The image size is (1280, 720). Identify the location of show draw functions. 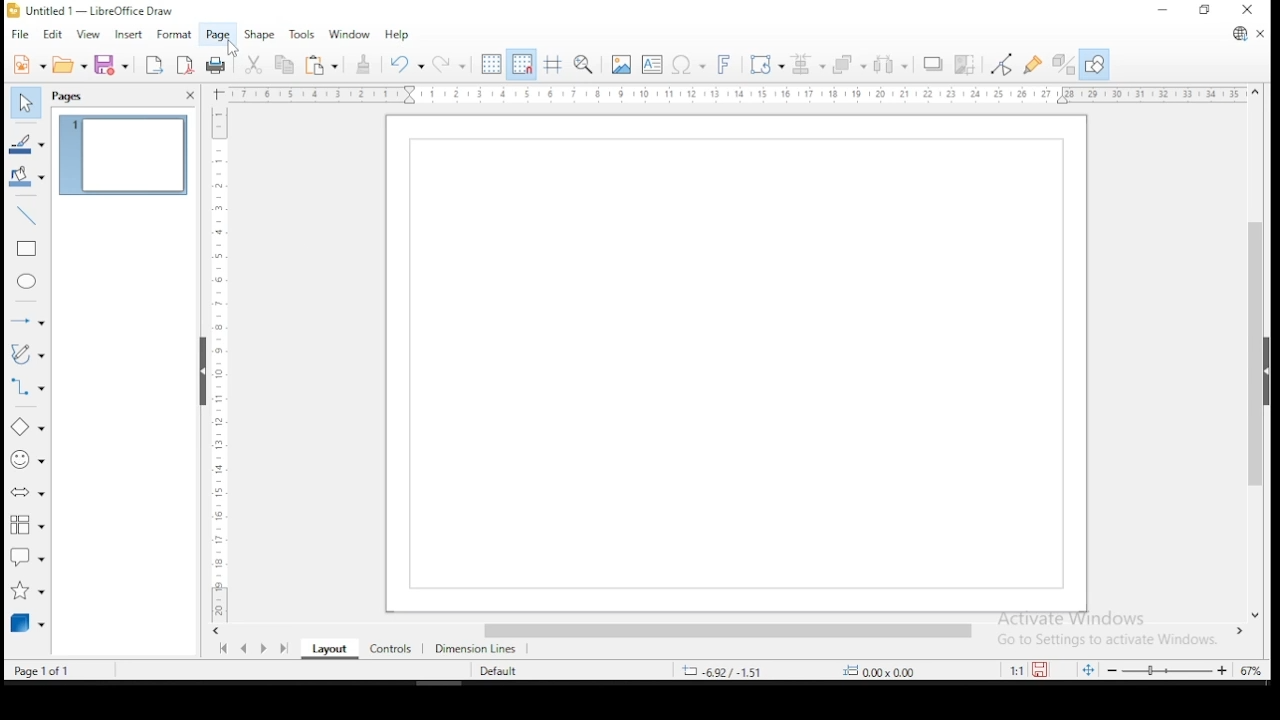
(1093, 65).